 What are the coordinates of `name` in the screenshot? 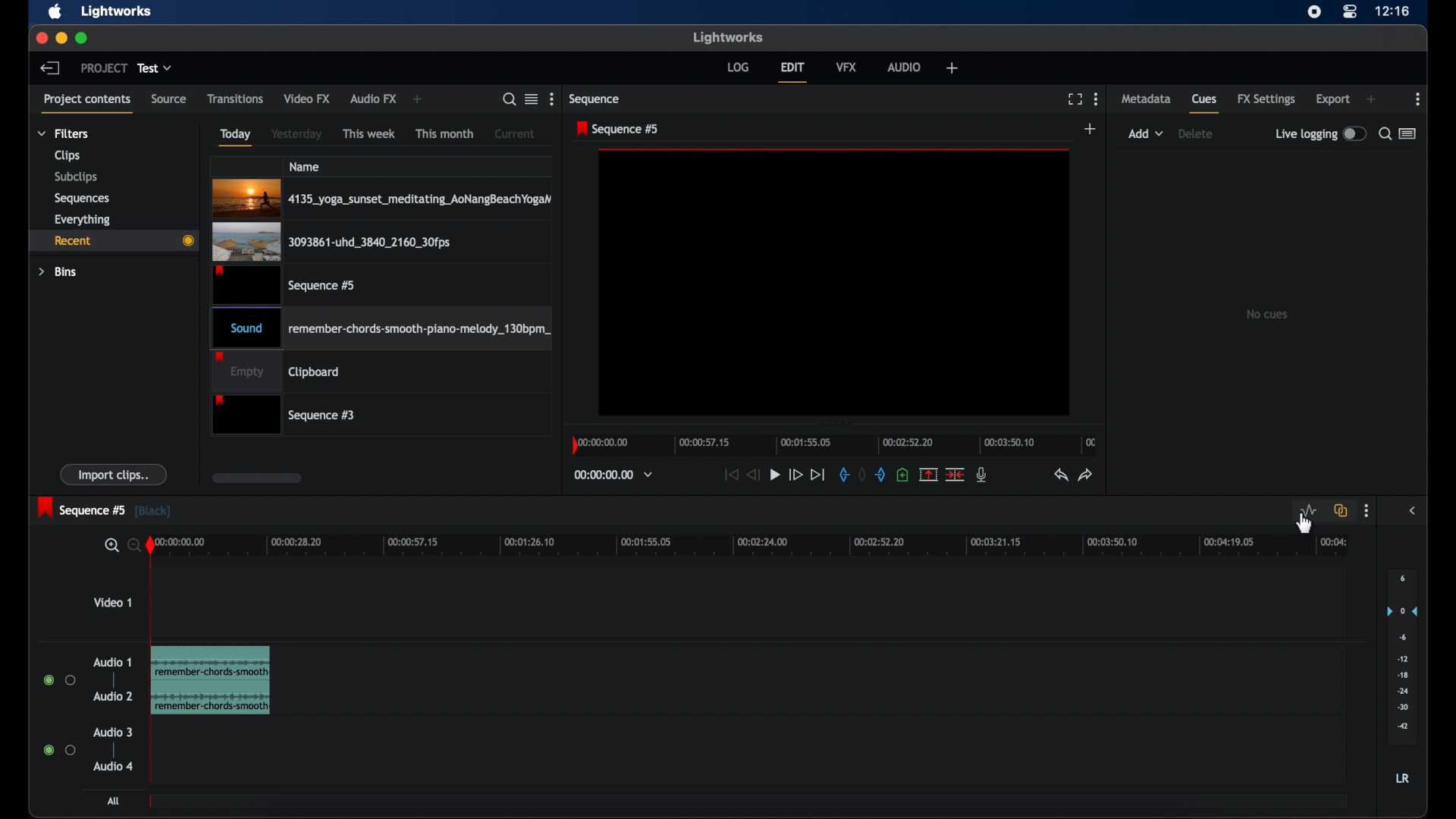 It's located at (305, 166).